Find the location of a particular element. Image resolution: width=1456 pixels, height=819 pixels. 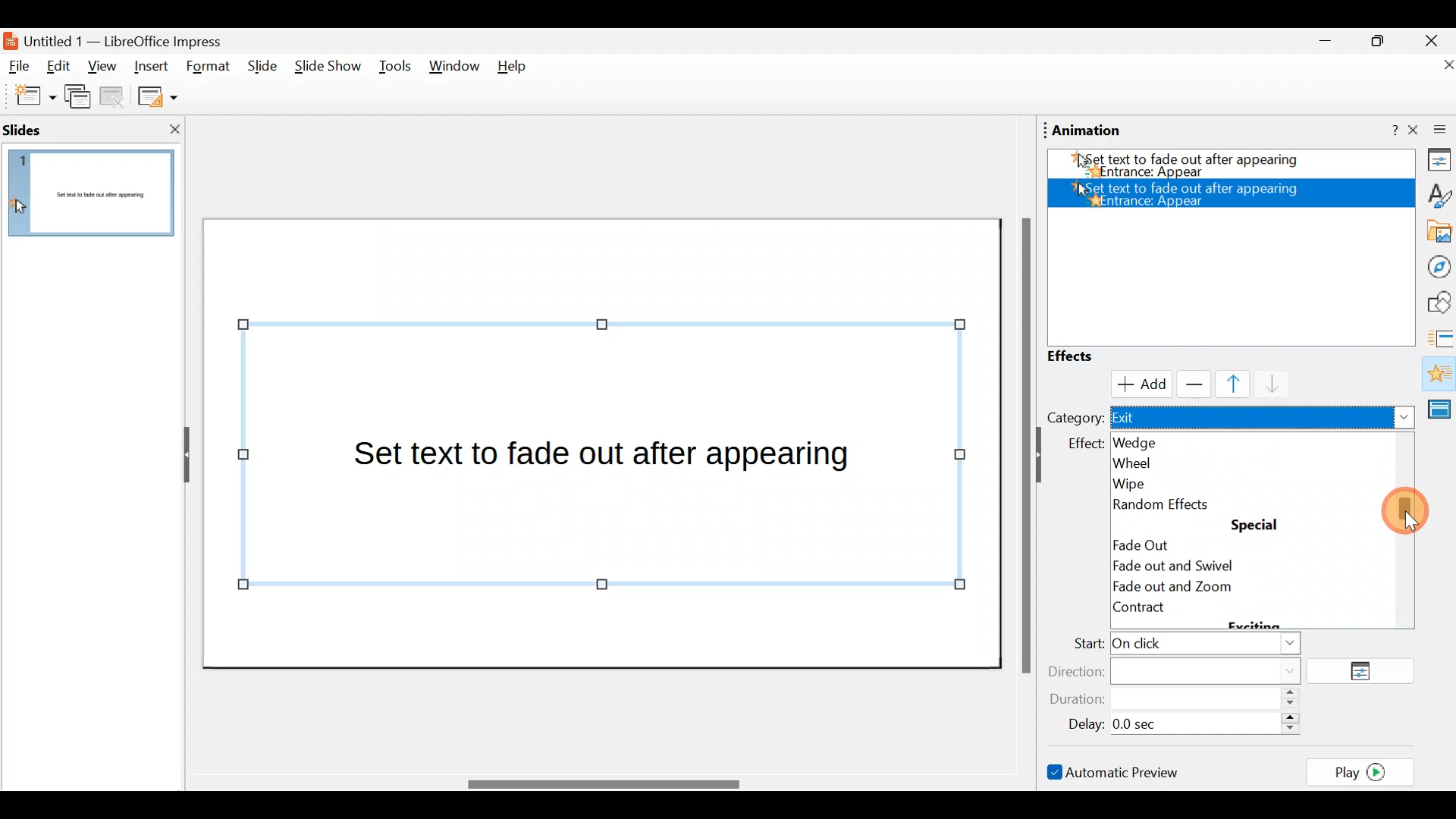

effect is located at coordinates (1079, 444).